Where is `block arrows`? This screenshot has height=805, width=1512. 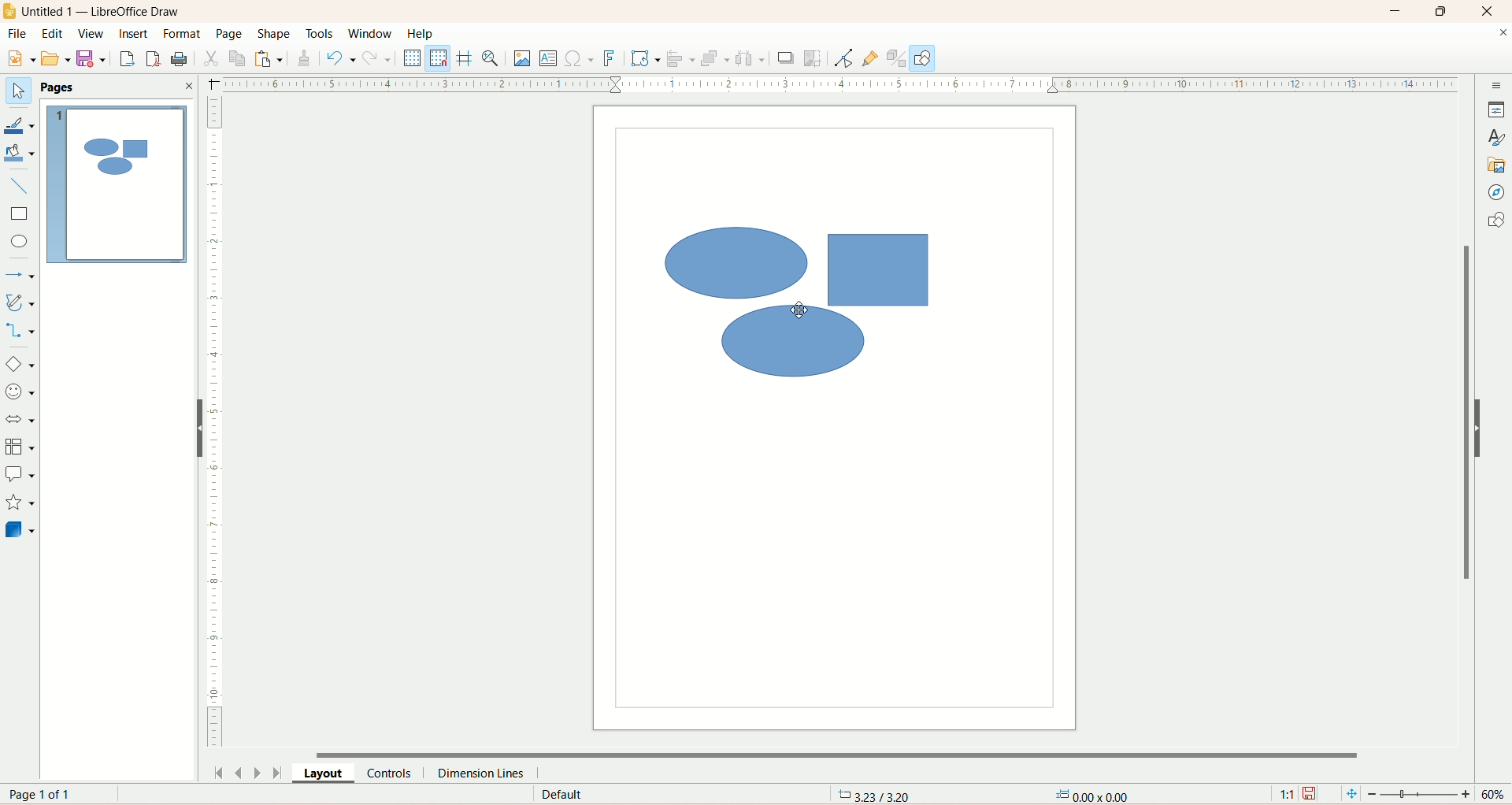 block arrows is located at coordinates (21, 421).